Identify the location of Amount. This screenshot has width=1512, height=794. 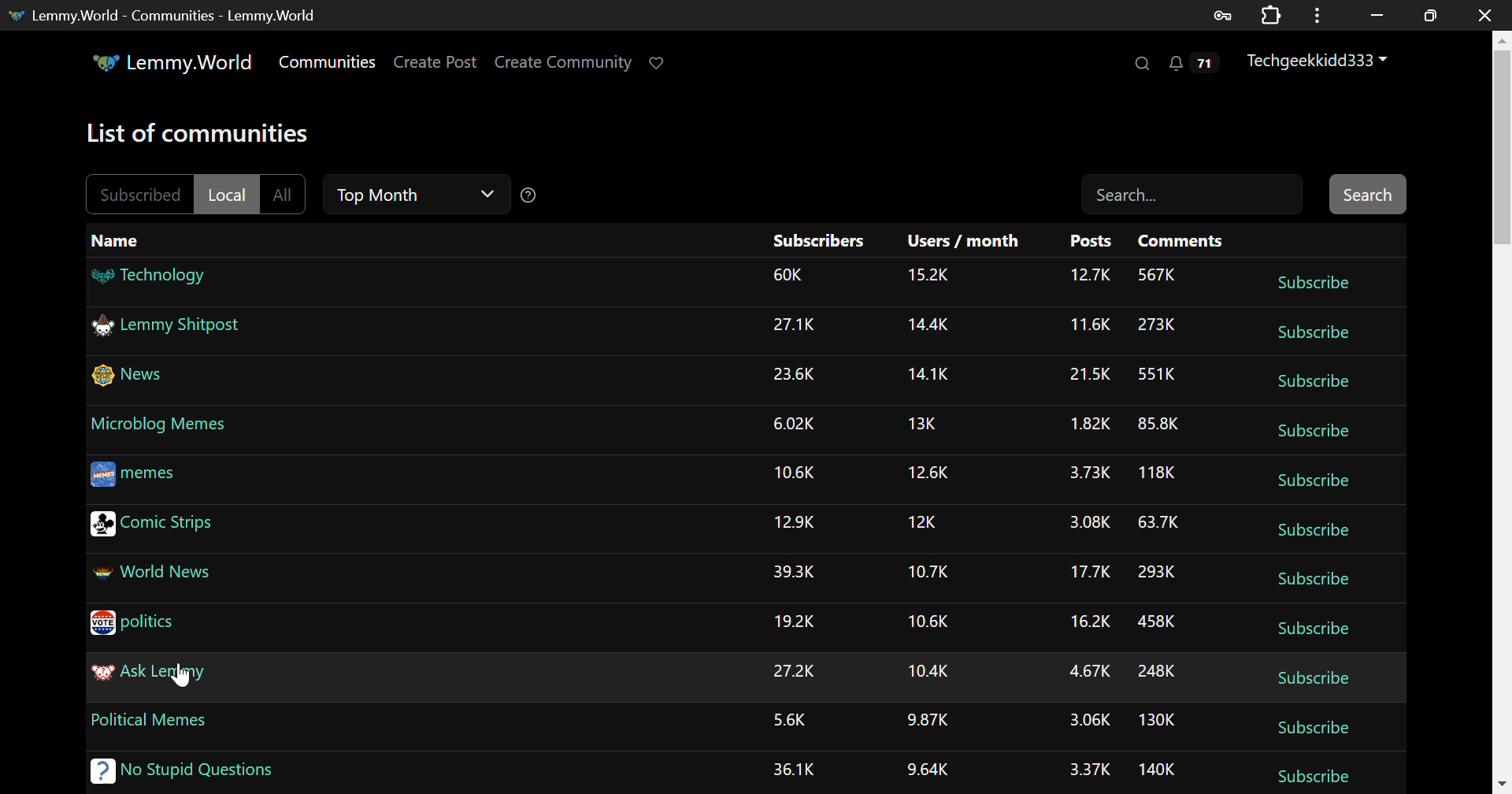
(792, 674).